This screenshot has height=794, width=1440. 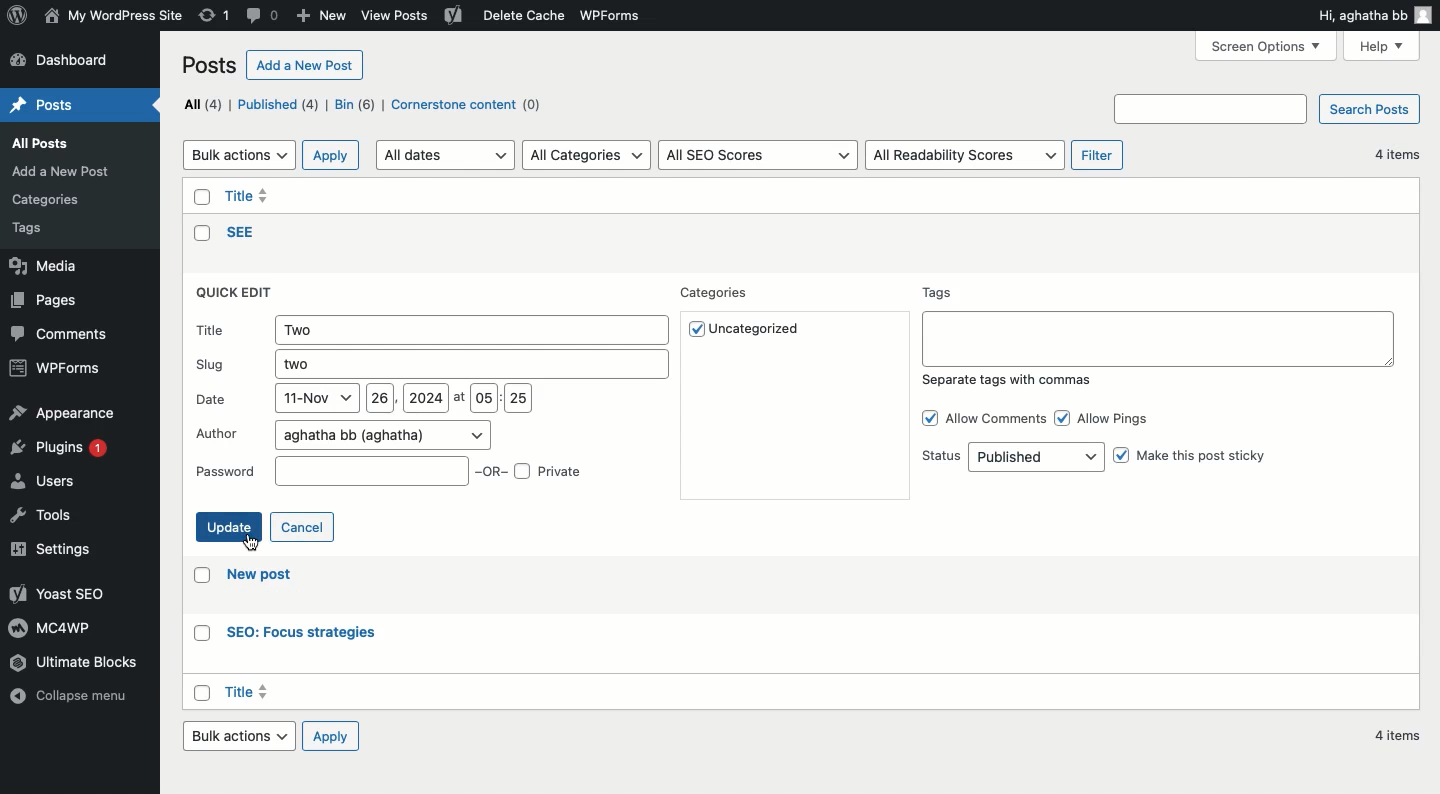 What do you see at coordinates (238, 294) in the screenshot?
I see `Quick edit` at bounding box center [238, 294].